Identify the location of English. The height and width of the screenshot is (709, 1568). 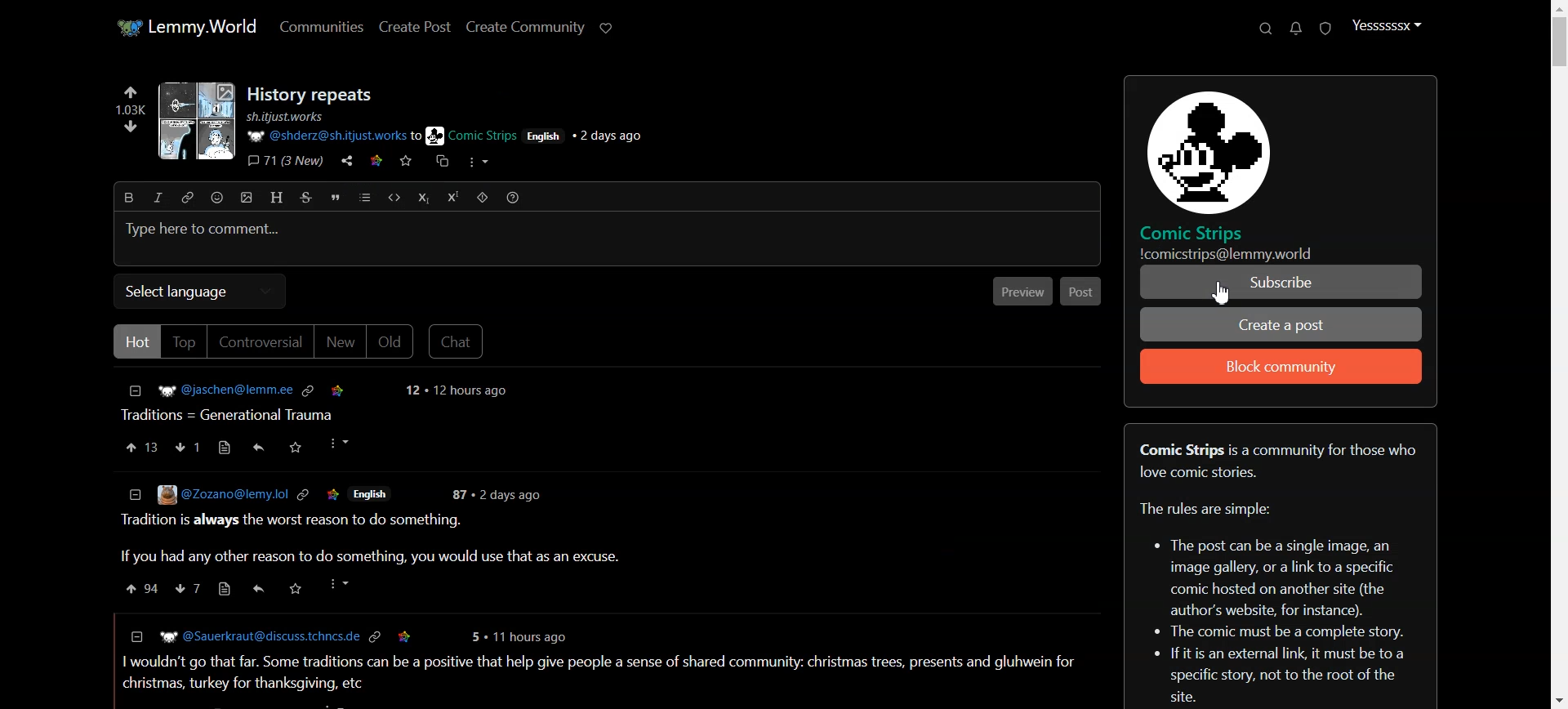
(376, 494).